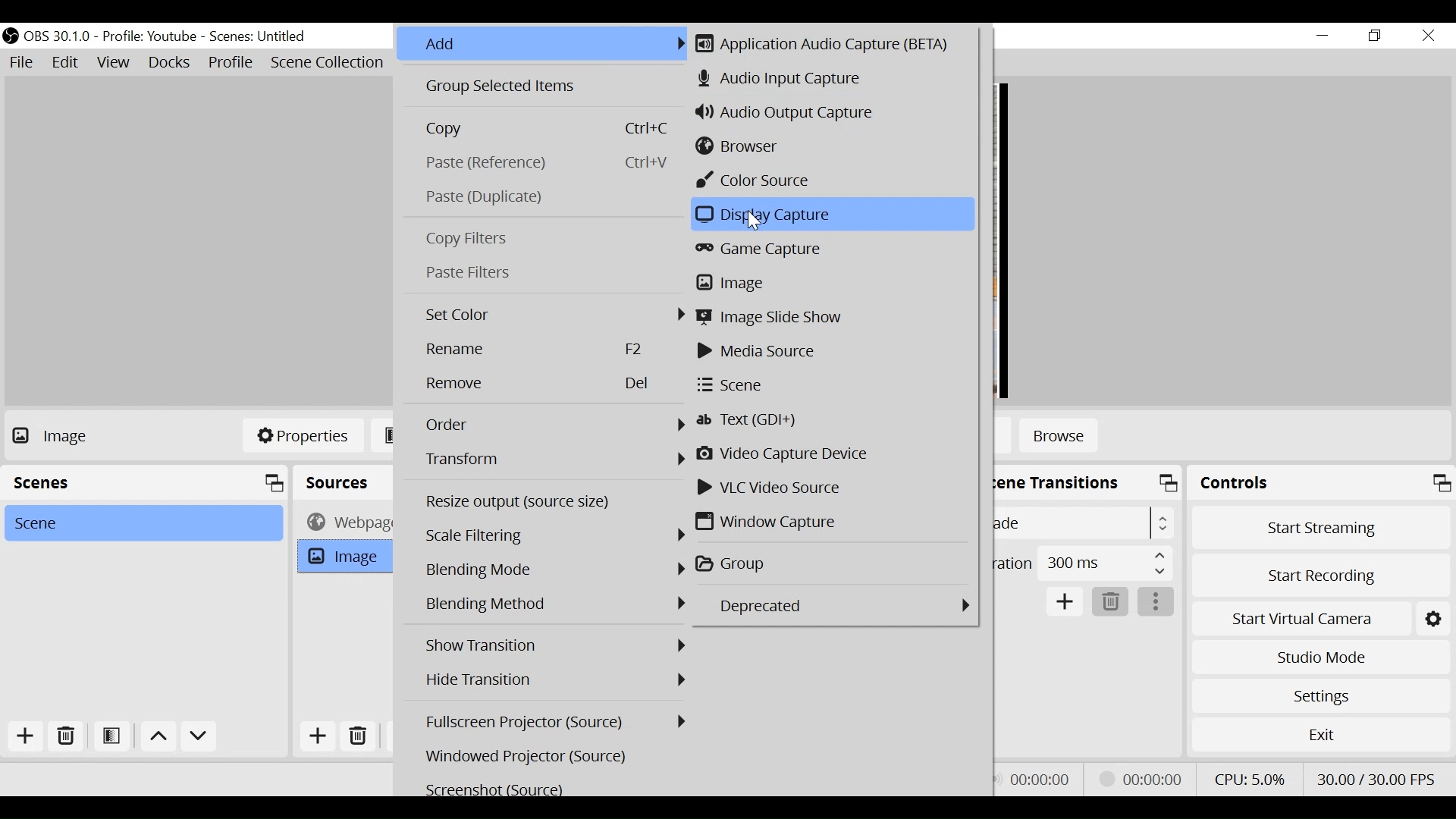 The image size is (1456, 819). What do you see at coordinates (556, 536) in the screenshot?
I see `Scale Filtering` at bounding box center [556, 536].